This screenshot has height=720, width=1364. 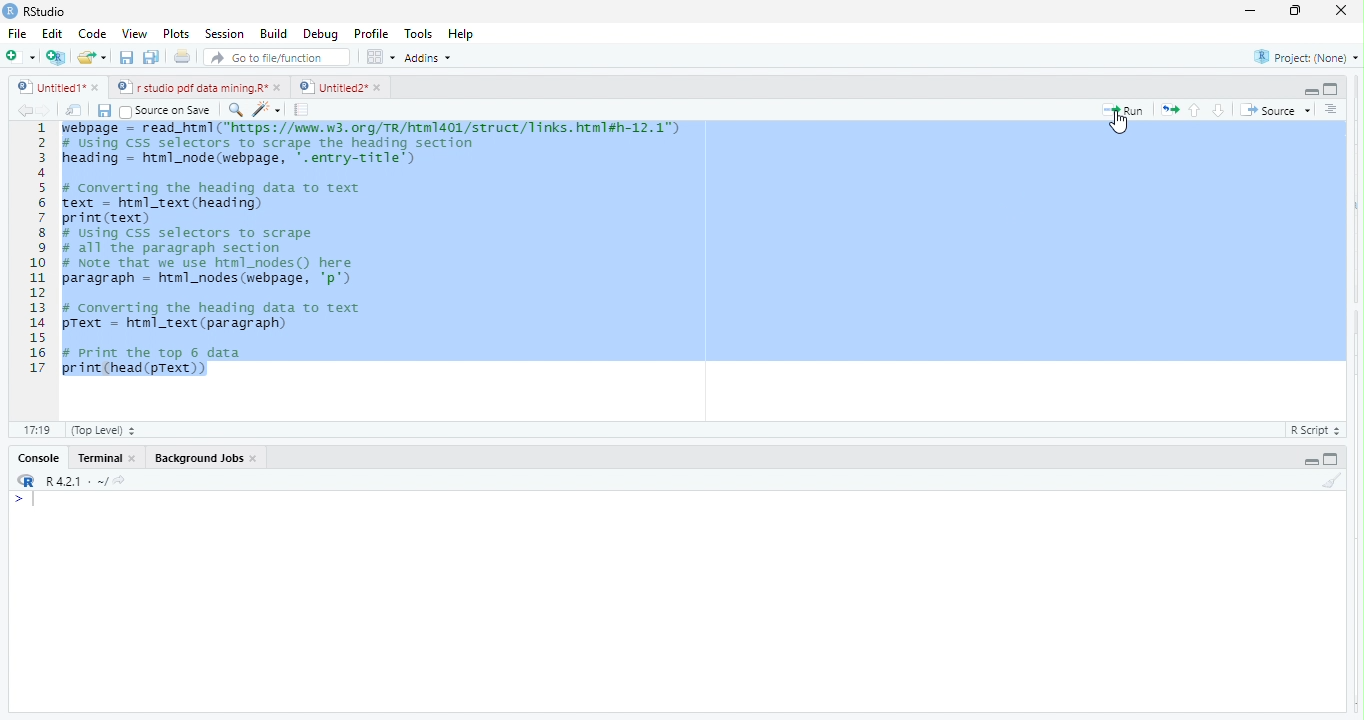 What do you see at coordinates (234, 109) in the screenshot?
I see `find/replace` at bounding box center [234, 109].